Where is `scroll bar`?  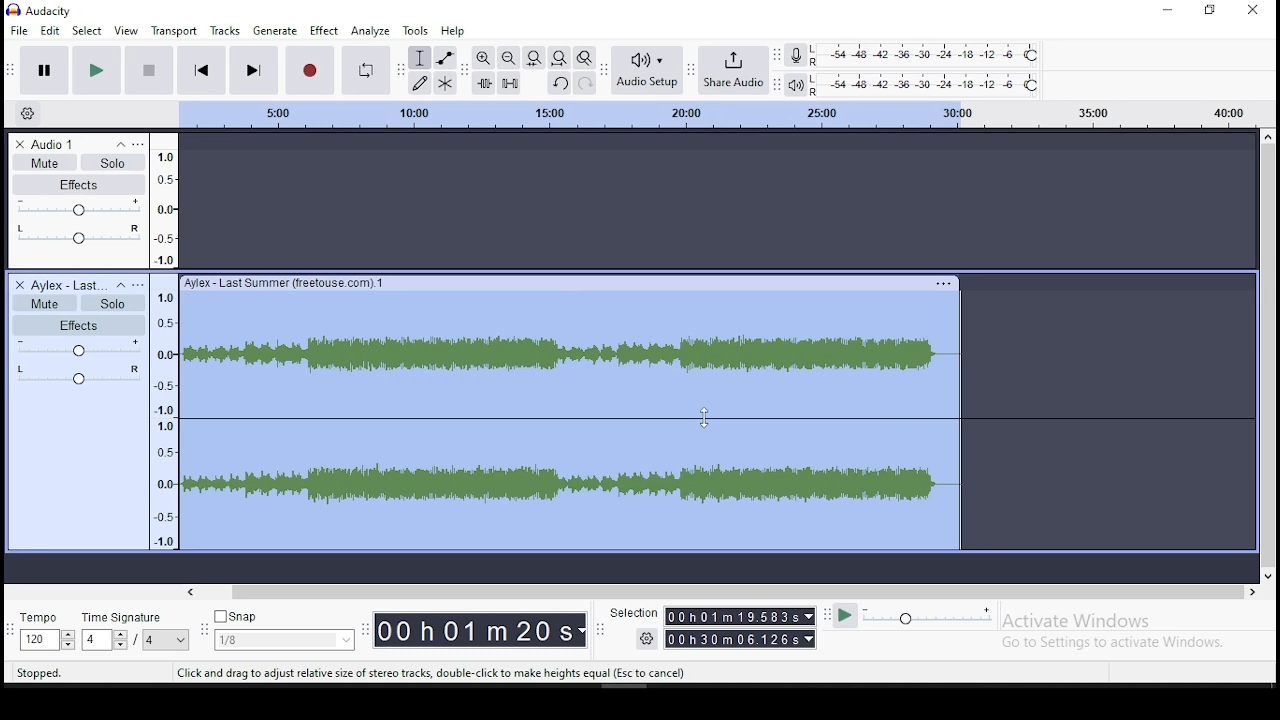 scroll bar is located at coordinates (724, 591).